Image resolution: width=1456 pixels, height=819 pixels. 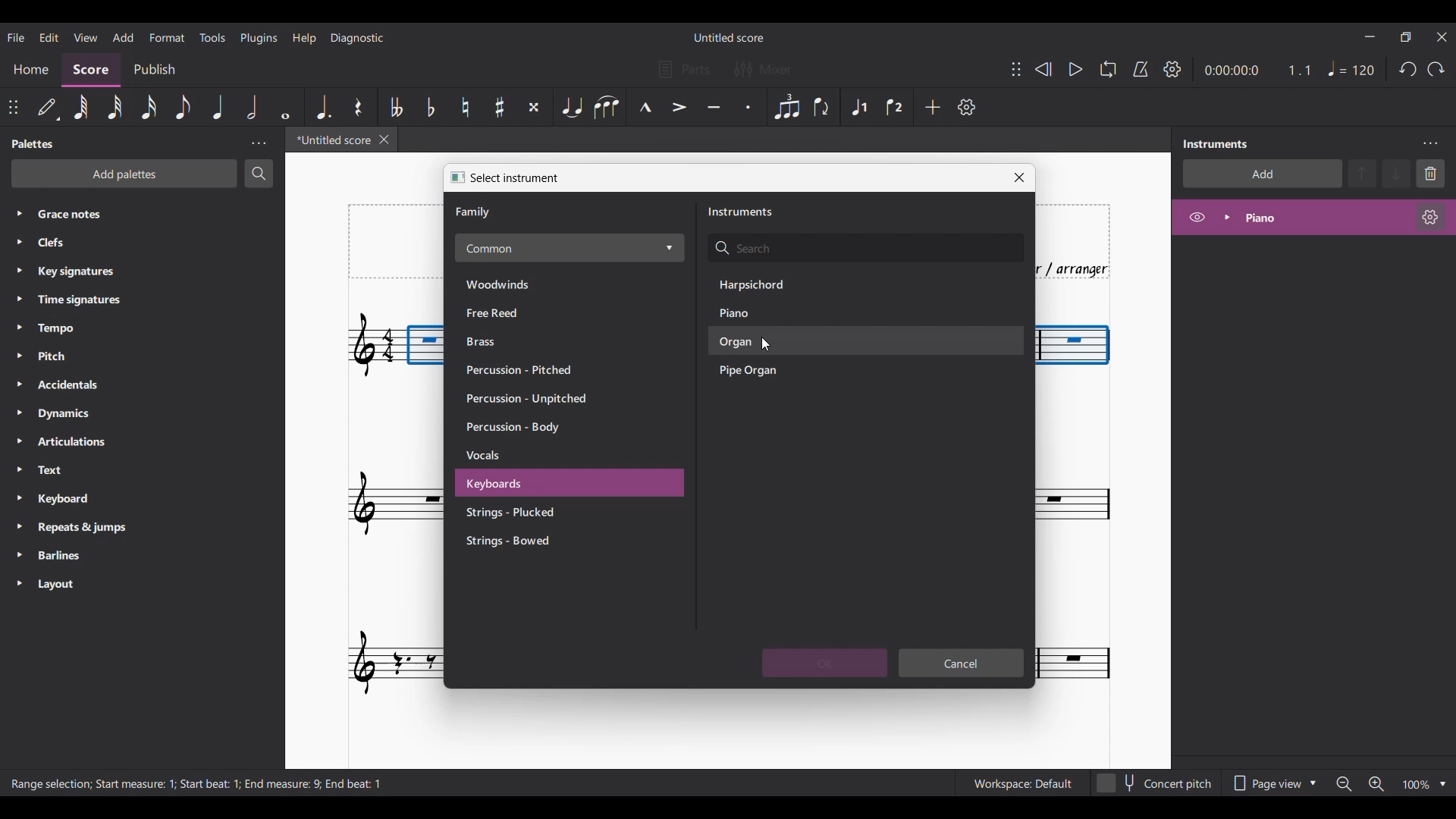 I want to click on Tenuto, so click(x=714, y=106).